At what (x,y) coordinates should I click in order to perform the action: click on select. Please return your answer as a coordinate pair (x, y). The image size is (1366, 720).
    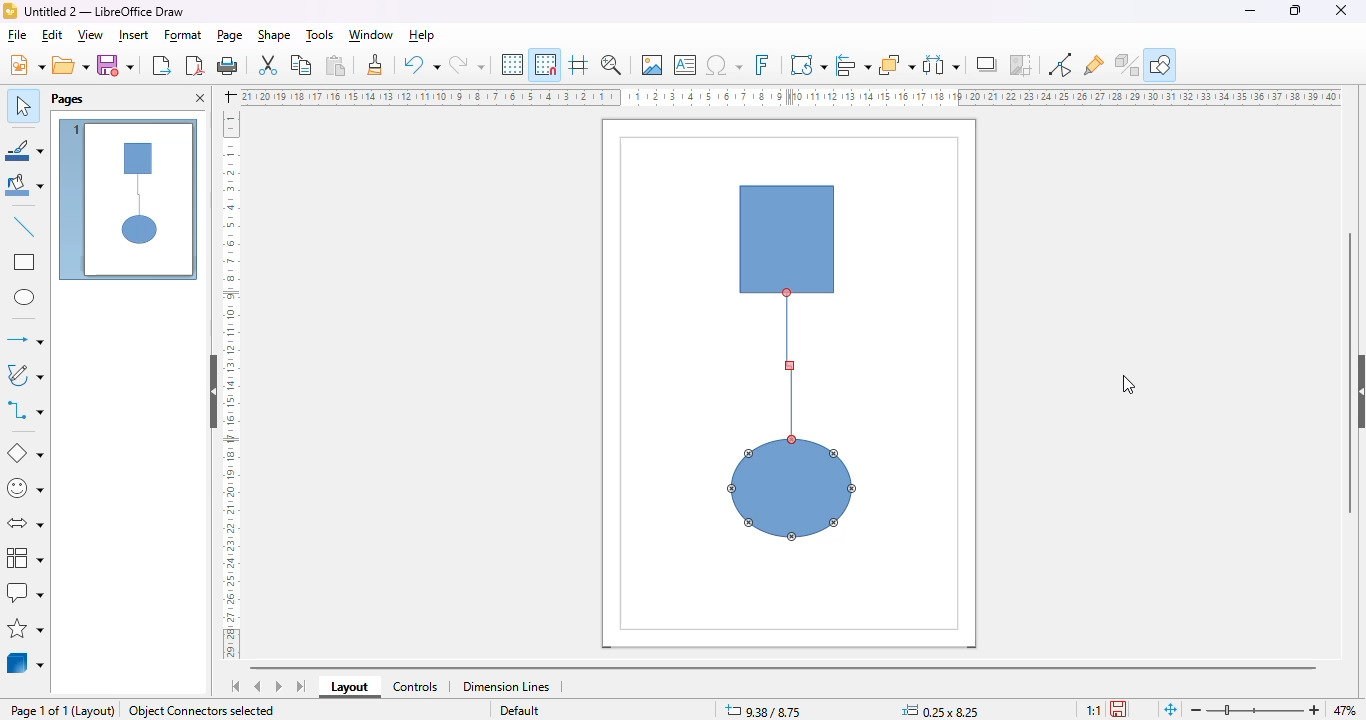
    Looking at the image, I should click on (23, 104).